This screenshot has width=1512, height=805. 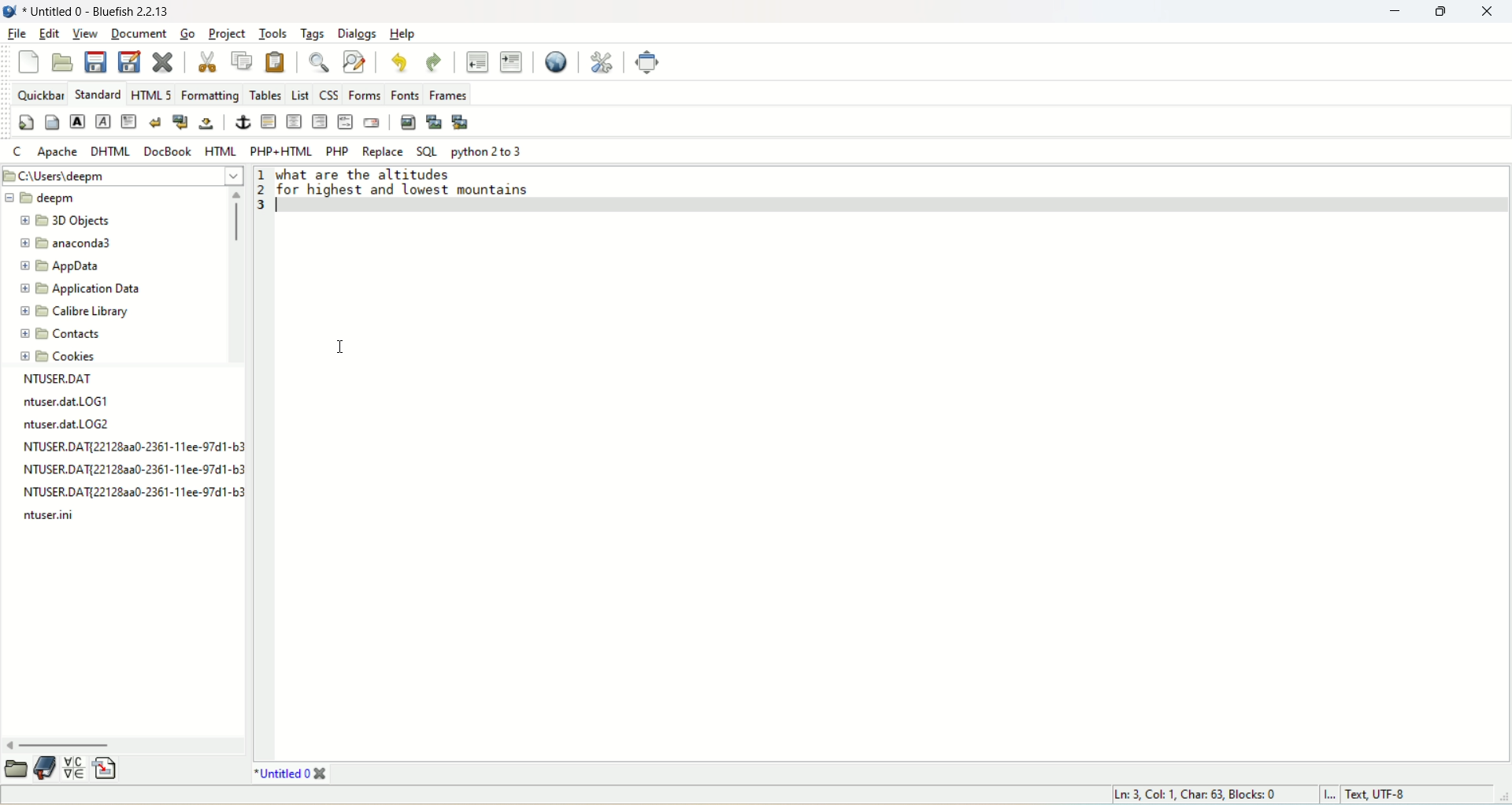 What do you see at coordinates (102, 122) in the screenshot?
I see `emphasize` at bounding box center [102, 122].